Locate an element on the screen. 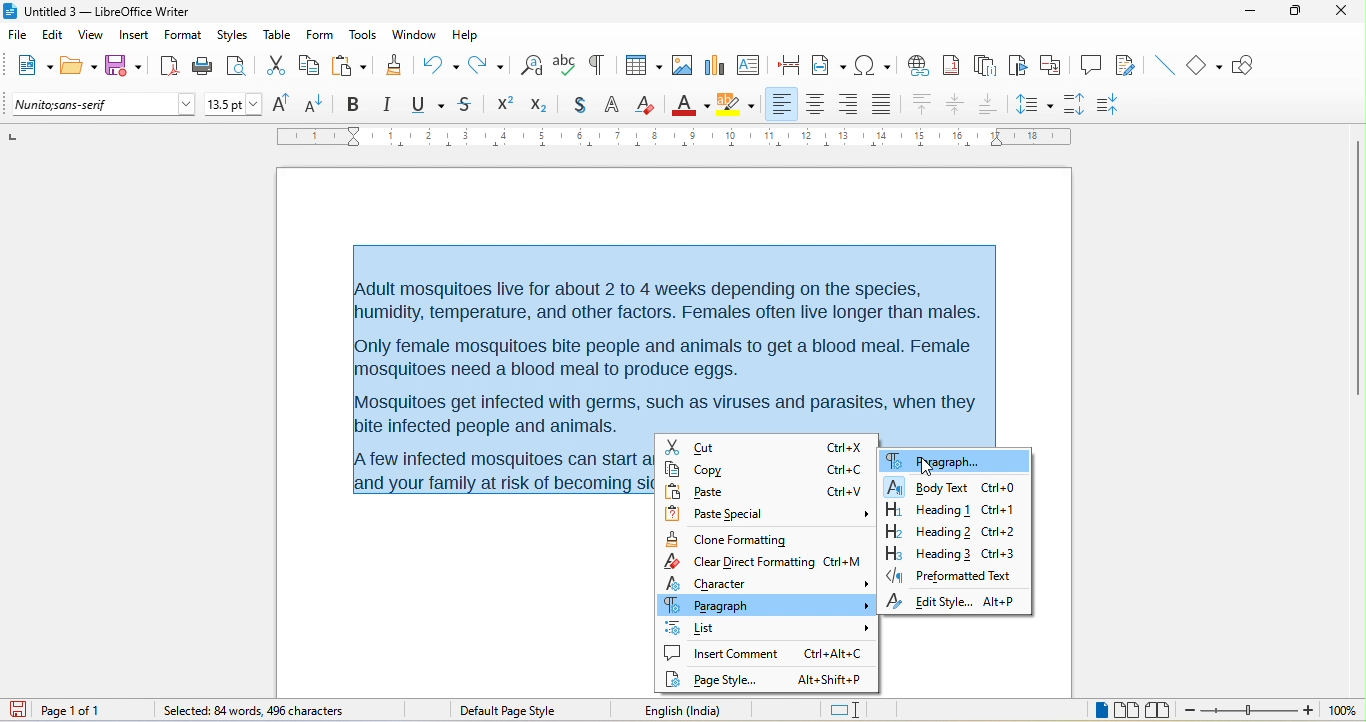 This screenshot has height=722, width=1366. file is located at coordinates (21, 36).